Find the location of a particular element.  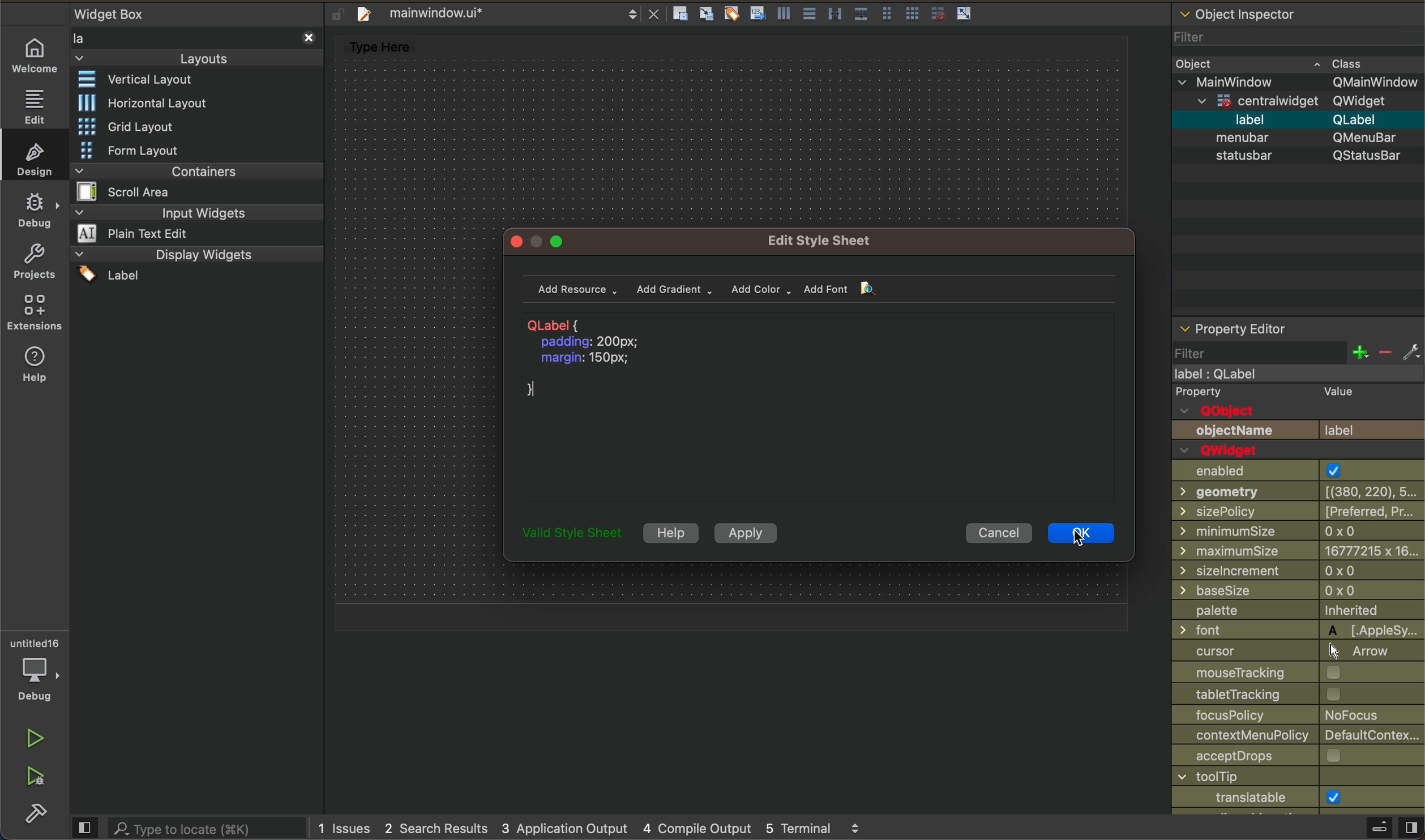

debug is located at coordinates (32, 674).